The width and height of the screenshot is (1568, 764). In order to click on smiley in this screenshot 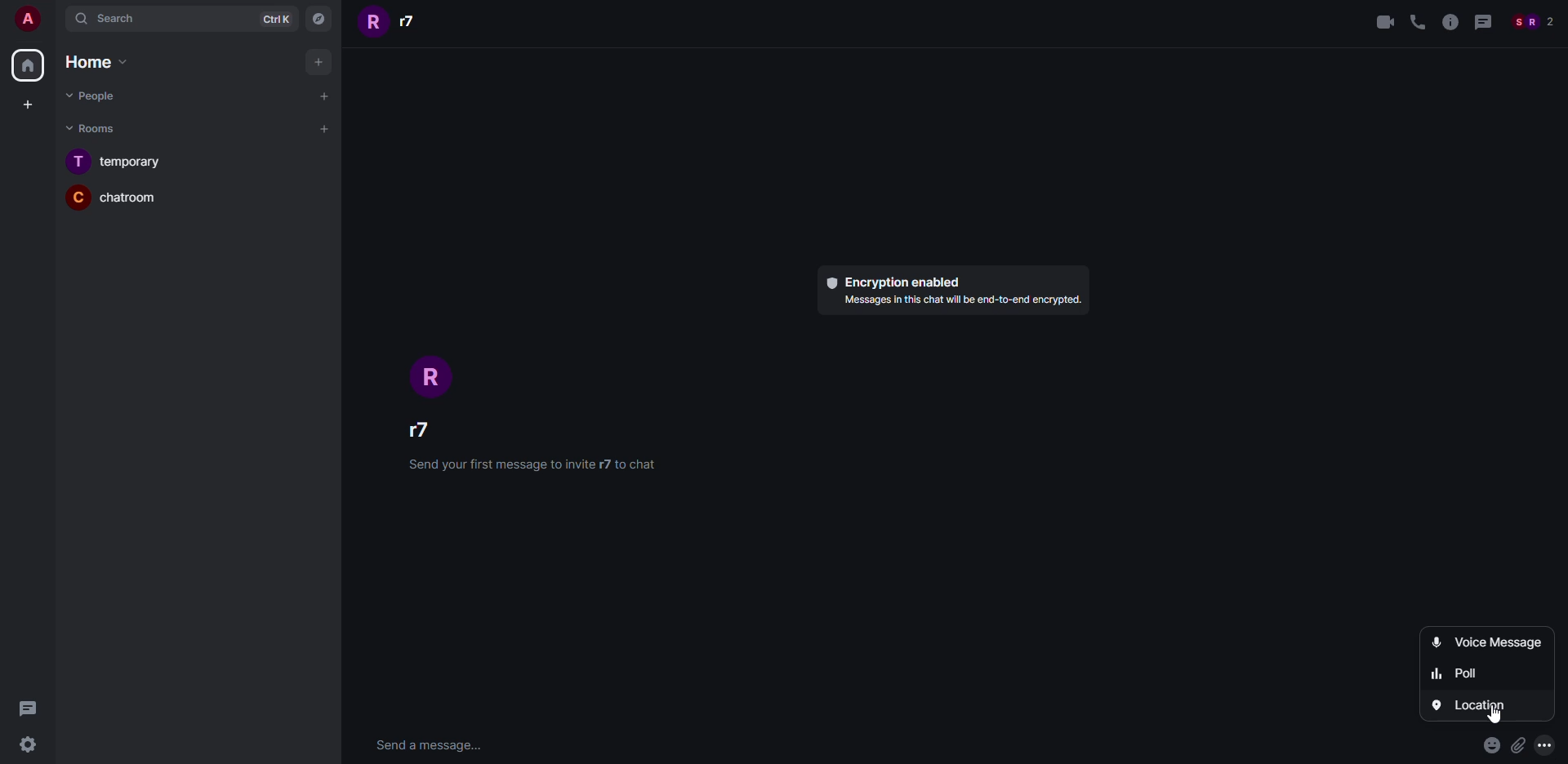, I will do `click(1492, 745)`.